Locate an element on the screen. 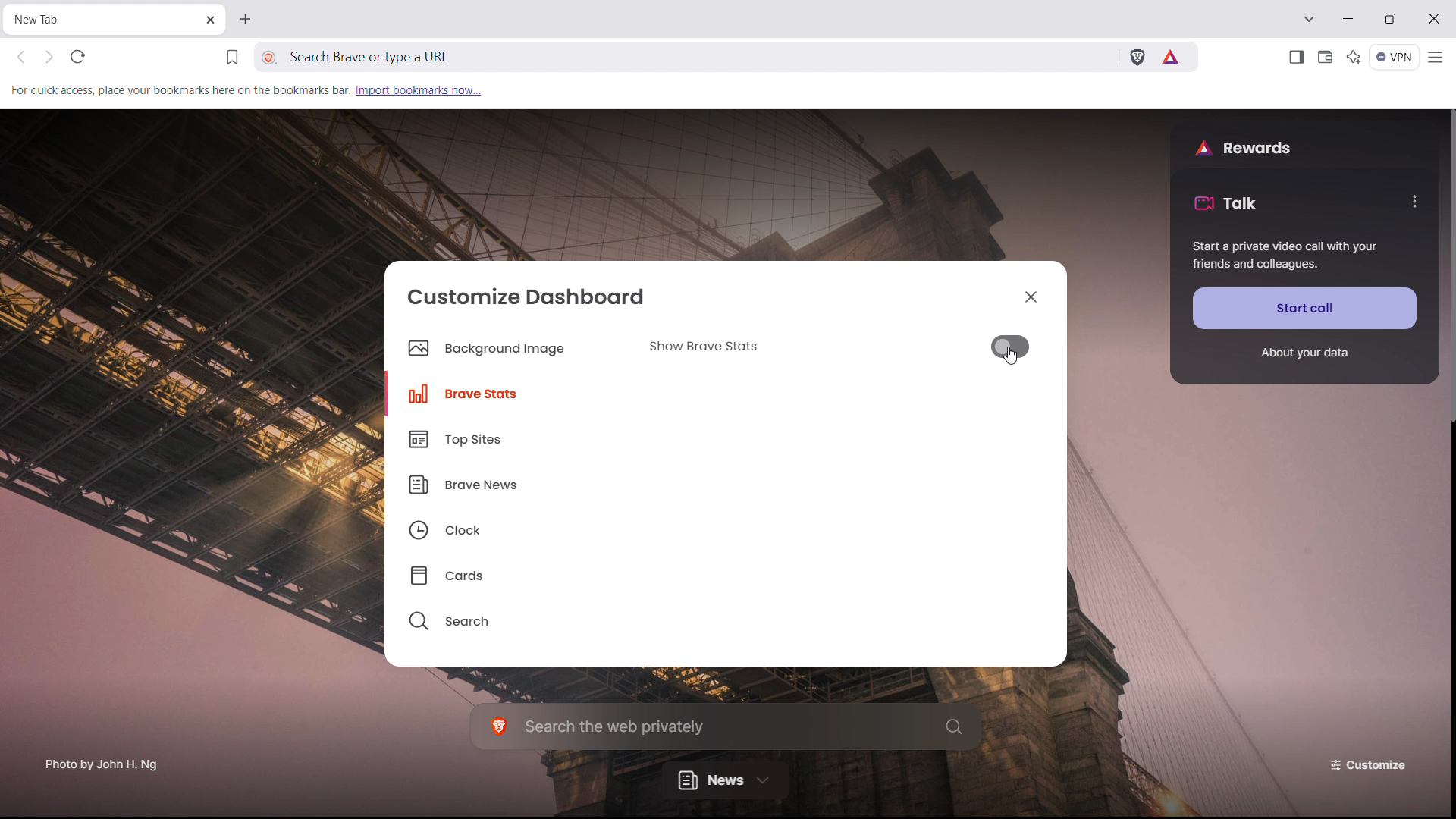  leo AI is located at coordinates (1354, 57).